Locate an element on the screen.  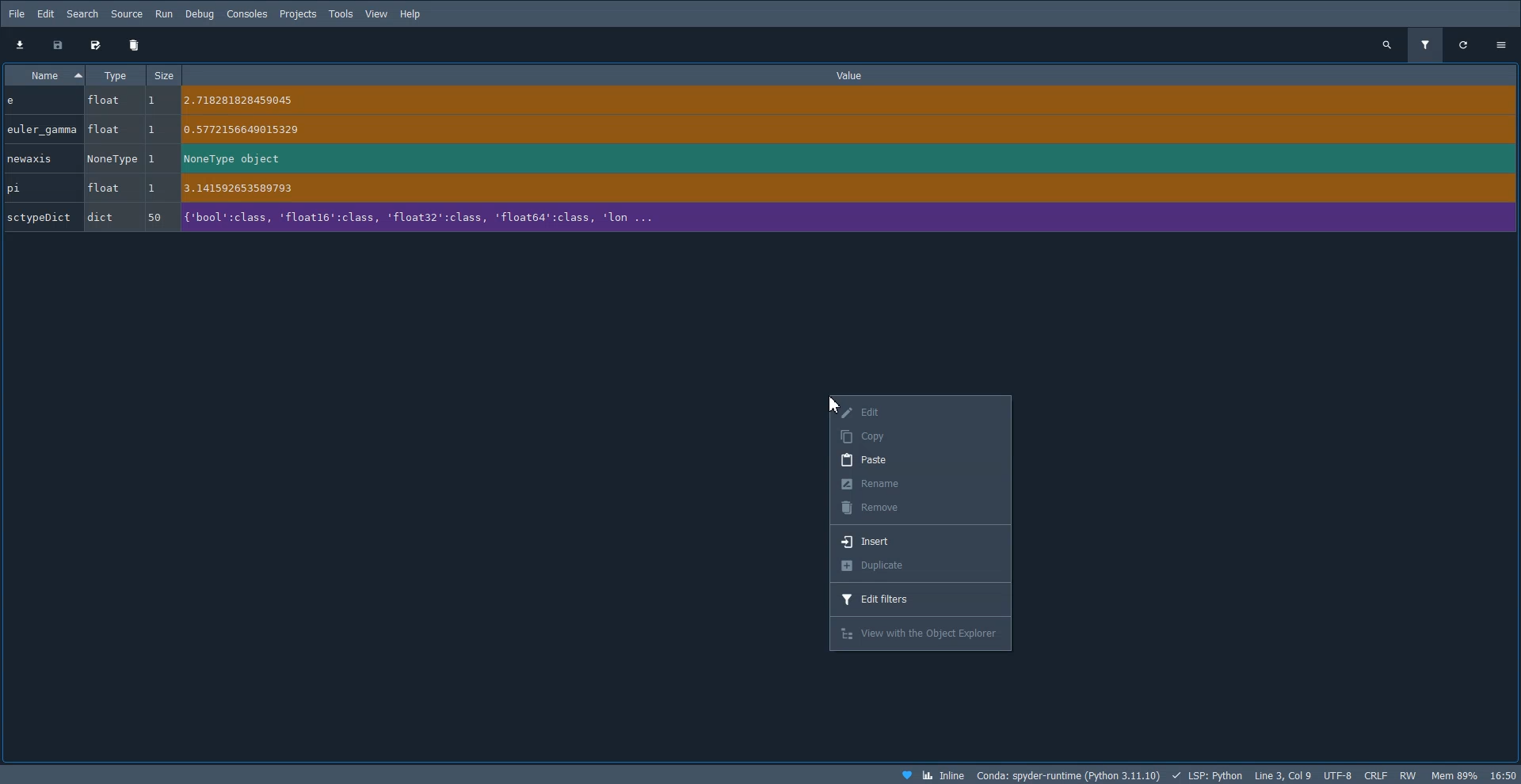
float is located at coordinates (104, 188).